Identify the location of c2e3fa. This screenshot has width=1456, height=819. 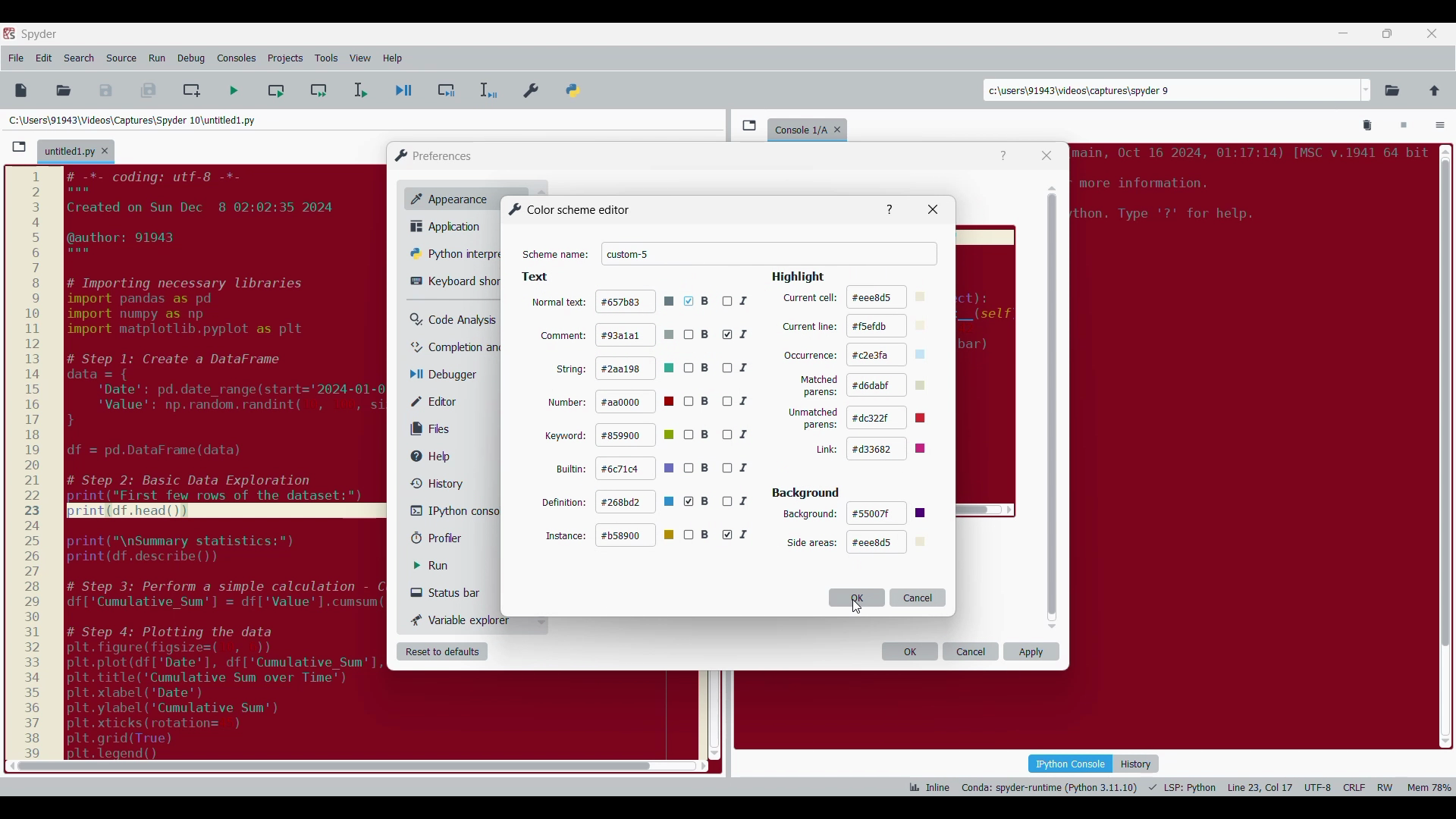
(890, 355).